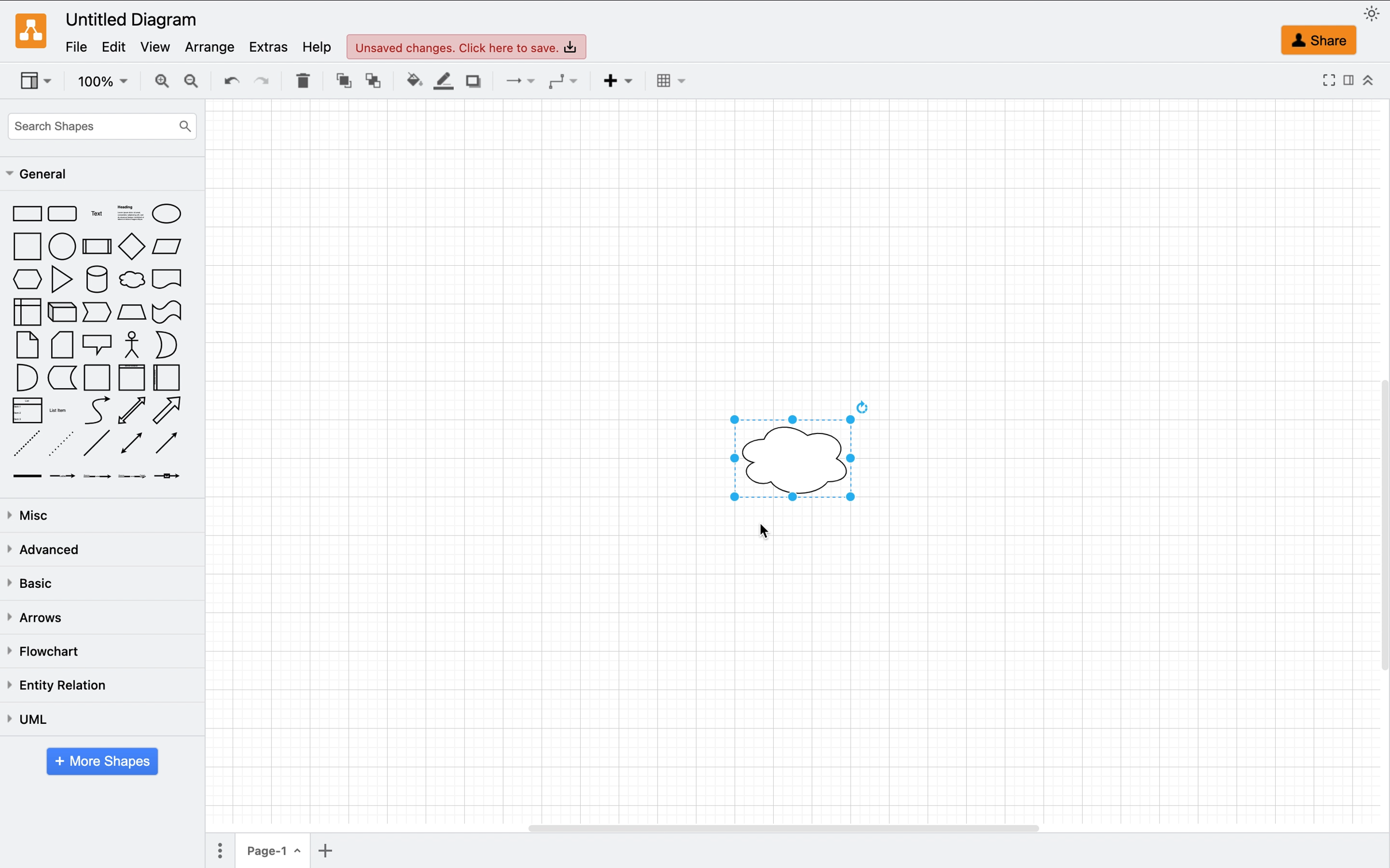 The height and width of the screenshot is (868, 1390). Describe the element at coordinates (60, 282) in the screenshot. I see `triangle` at that location.